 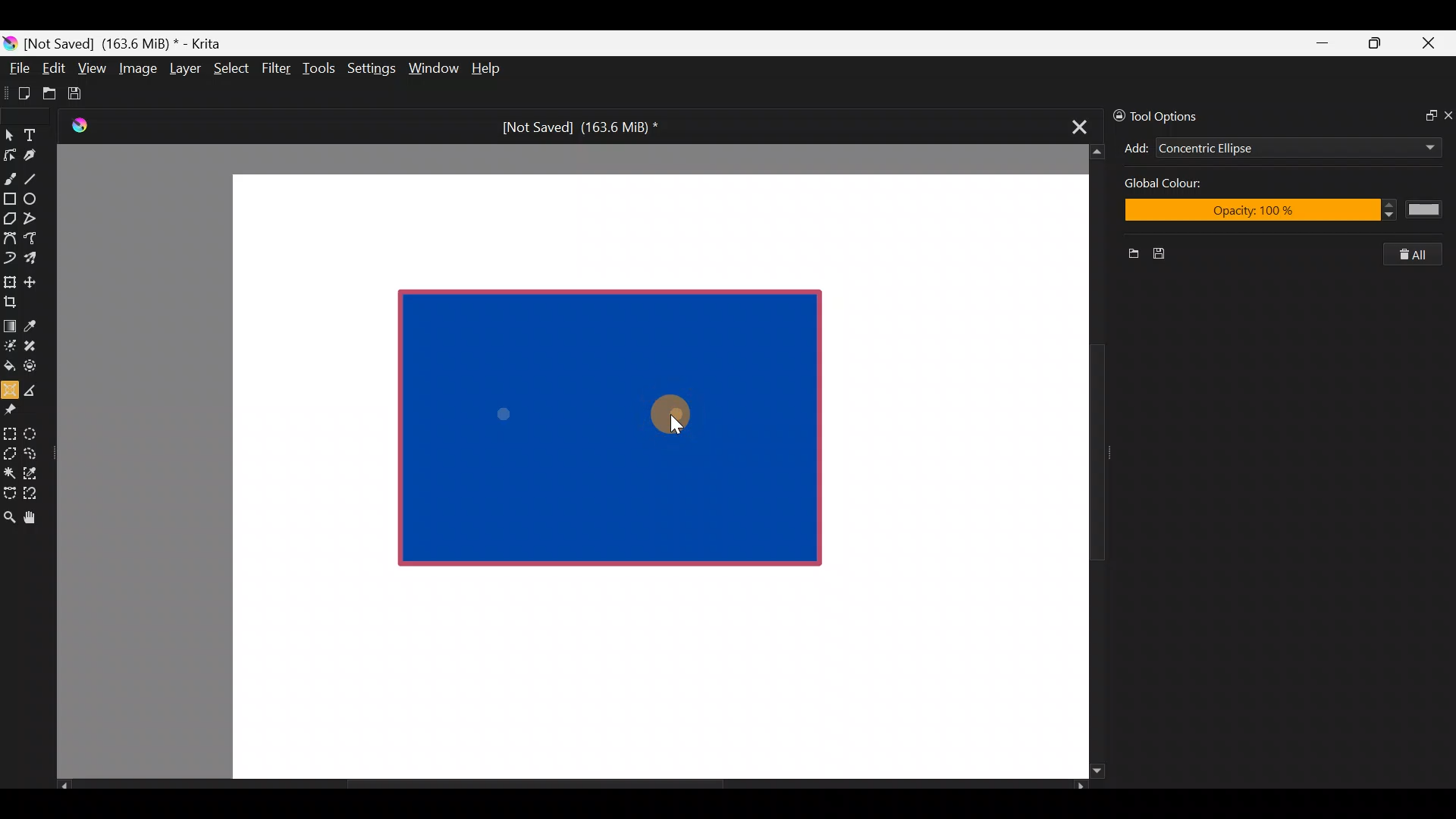 What do you see at coordinates (137, 68) in the screenshot?
I see `Image` at bounding box center [137, 68].